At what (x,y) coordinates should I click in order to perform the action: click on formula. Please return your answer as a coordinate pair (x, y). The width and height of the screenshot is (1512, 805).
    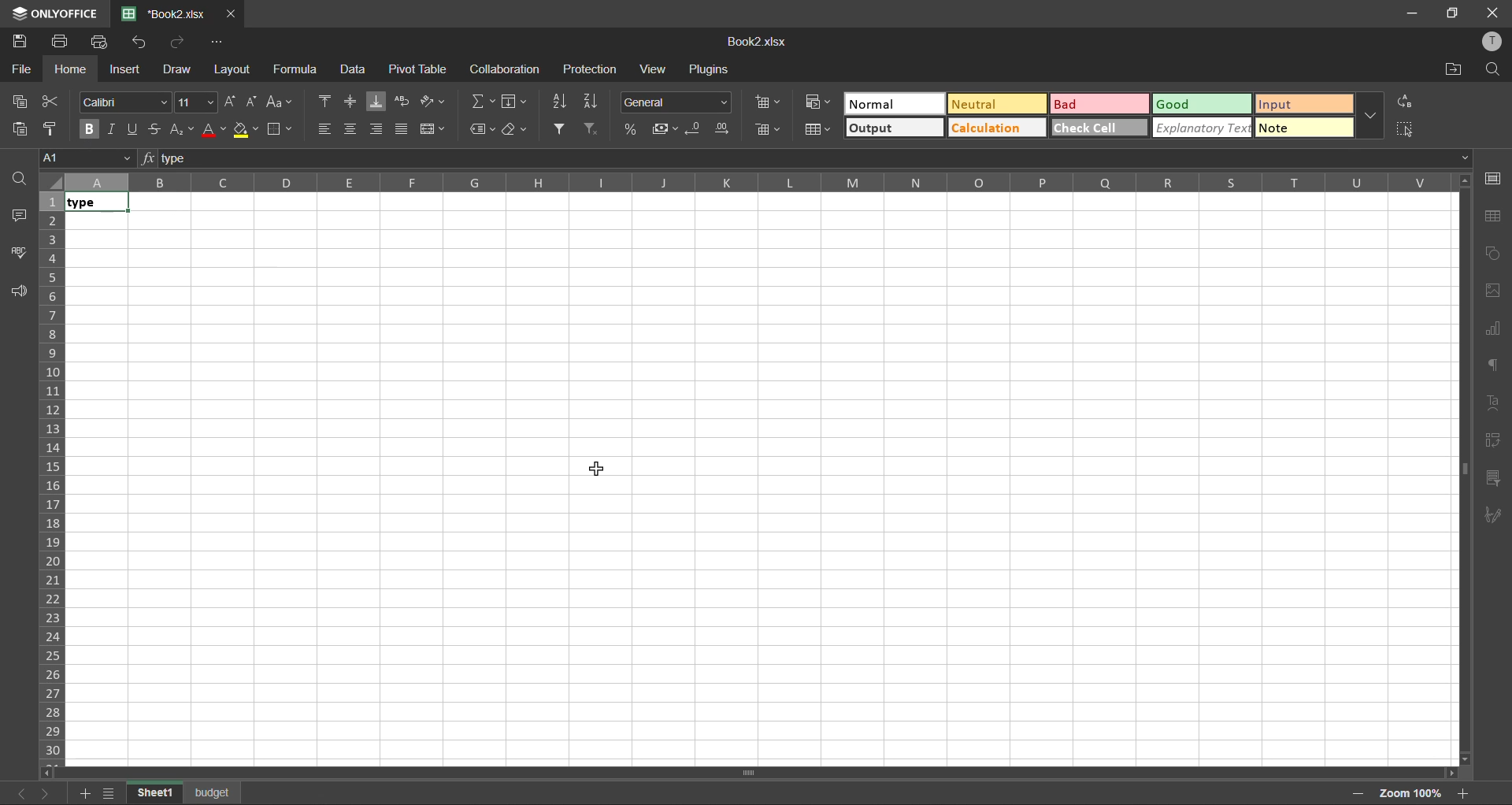
    Looking at the image, I should click on (297, 69).